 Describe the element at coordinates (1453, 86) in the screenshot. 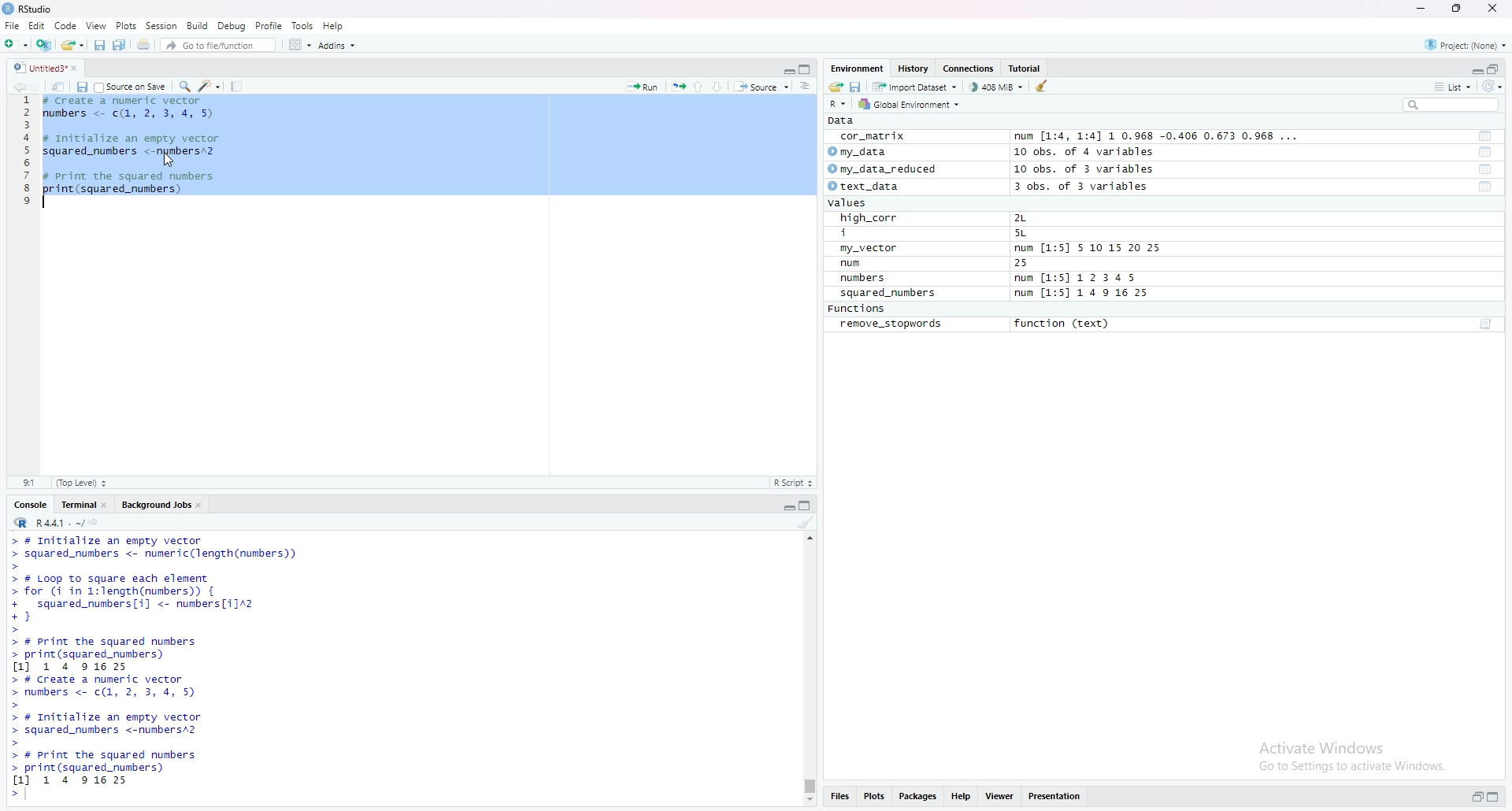

I see `List` at that location.